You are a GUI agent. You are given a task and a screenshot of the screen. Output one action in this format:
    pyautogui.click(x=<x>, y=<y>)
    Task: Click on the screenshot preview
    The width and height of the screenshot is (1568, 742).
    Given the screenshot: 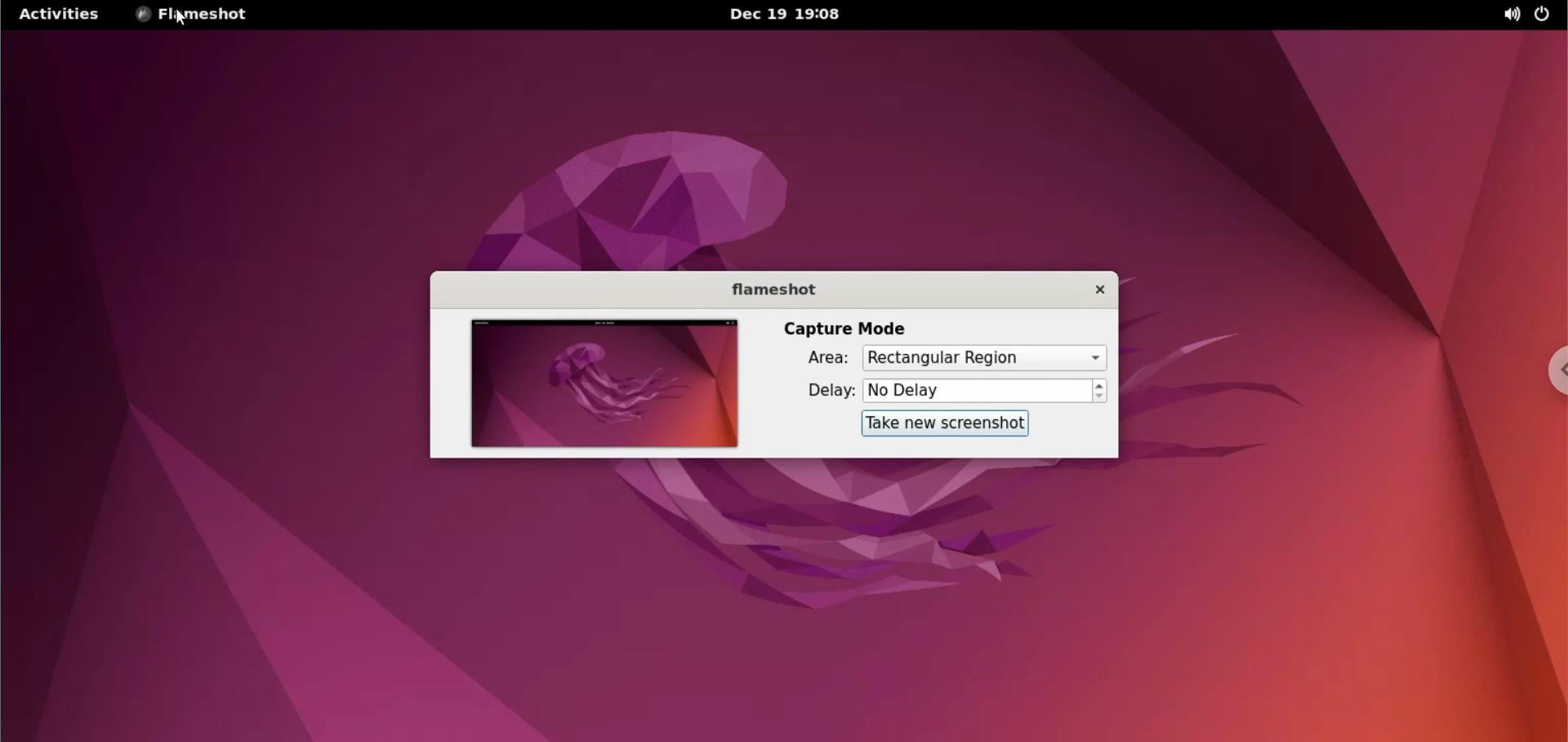 What is the action you would take?
    pyautogui.click(x=605, y=384)
    